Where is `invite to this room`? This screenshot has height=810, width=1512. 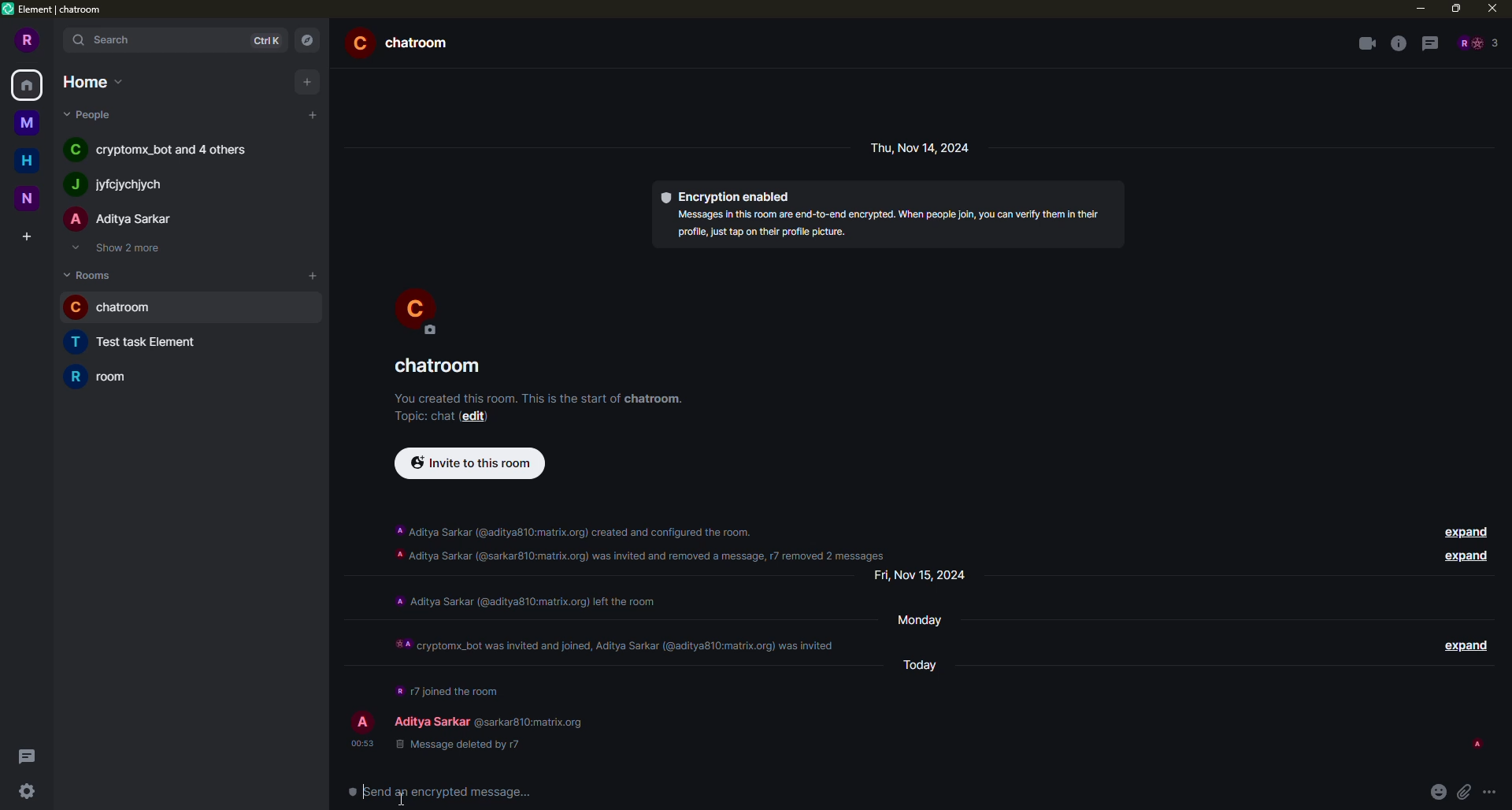 invite to this room is located at coordinates (474, 463).